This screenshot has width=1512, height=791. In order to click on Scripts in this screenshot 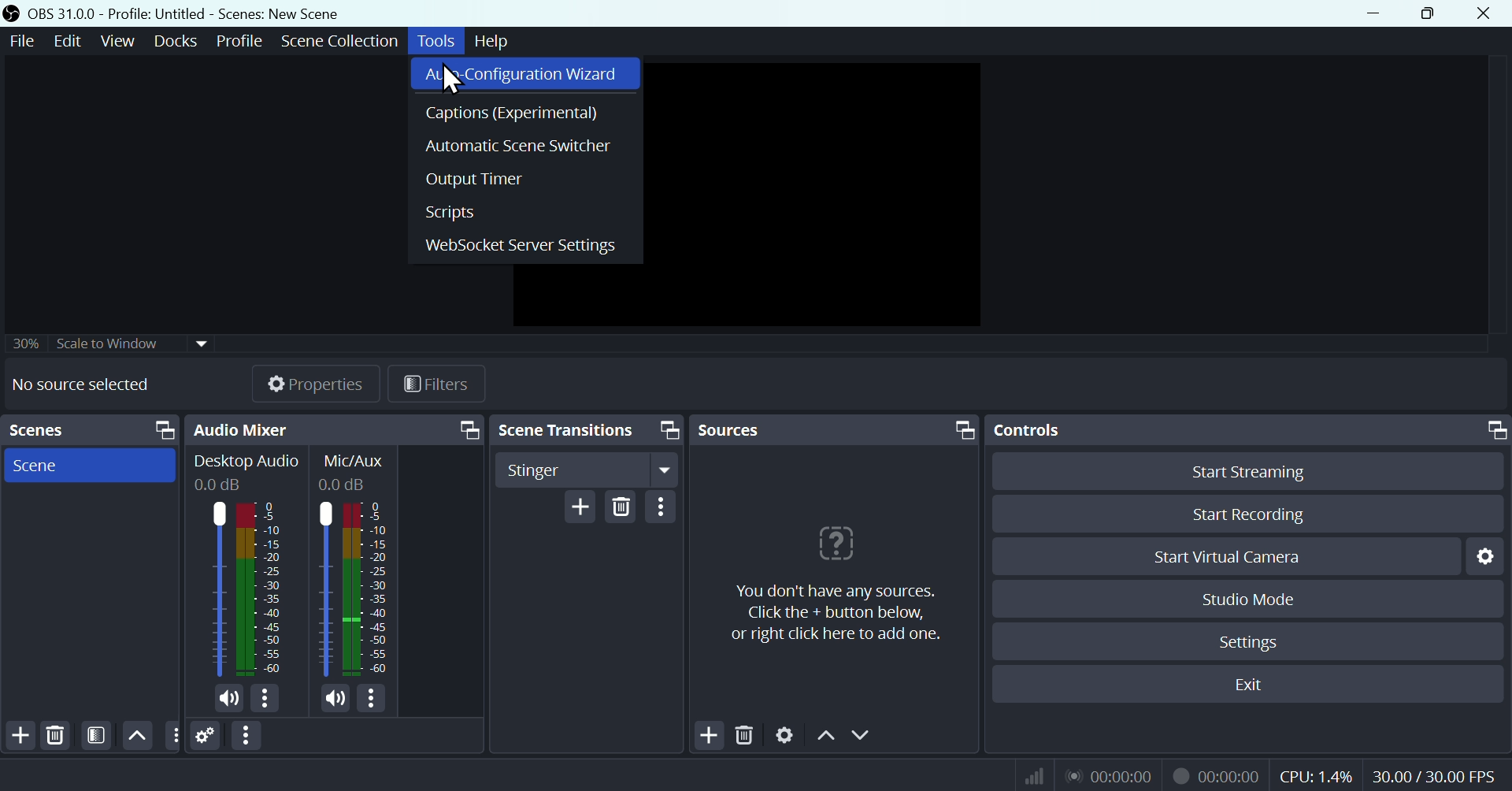, I will do `click(524, 211)`.